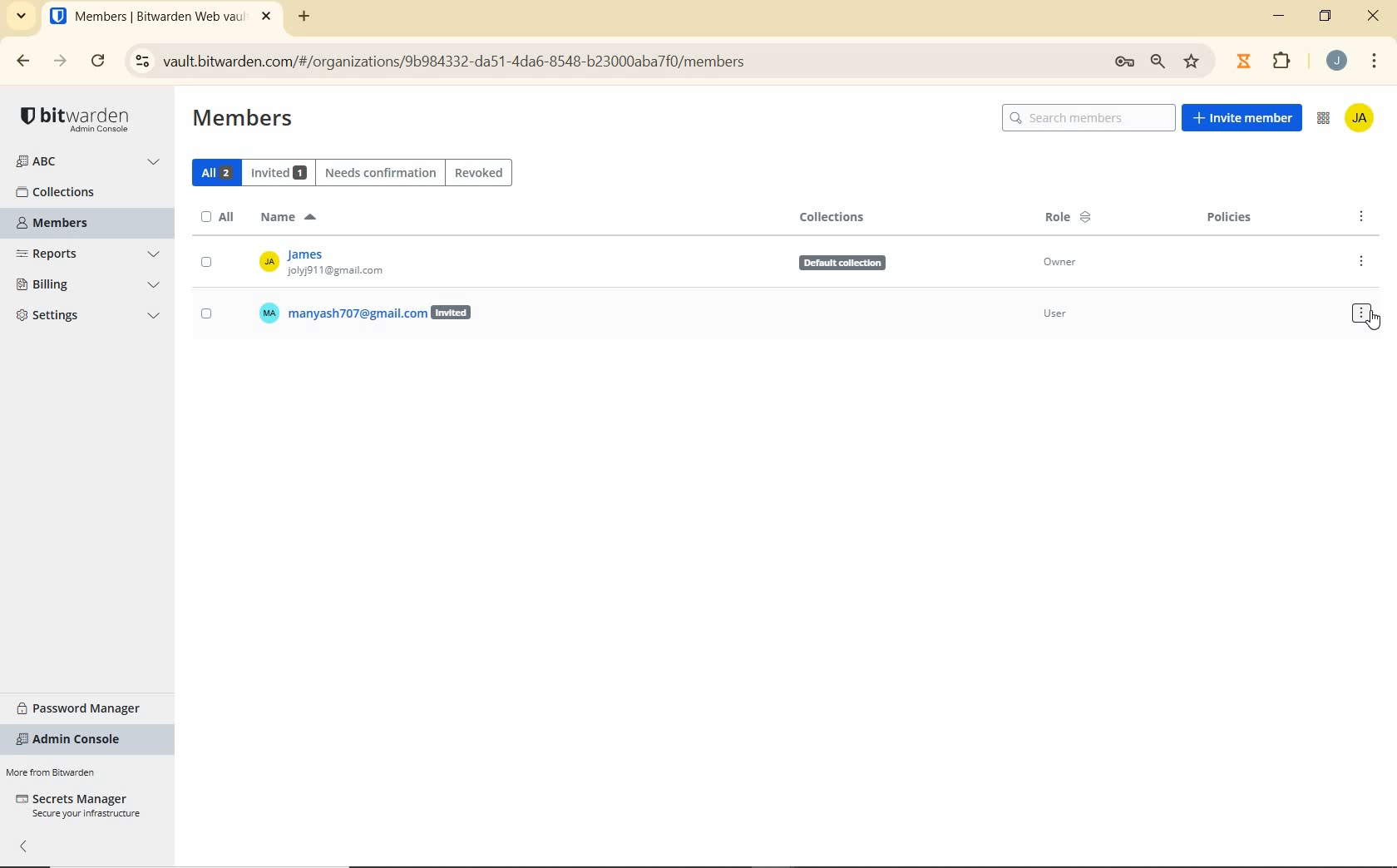 This screenshot has width=1397, height=868. Describe the element at coordinates (1243, 119) in the screenshot. I see `INVITE MEMBER` at that location.